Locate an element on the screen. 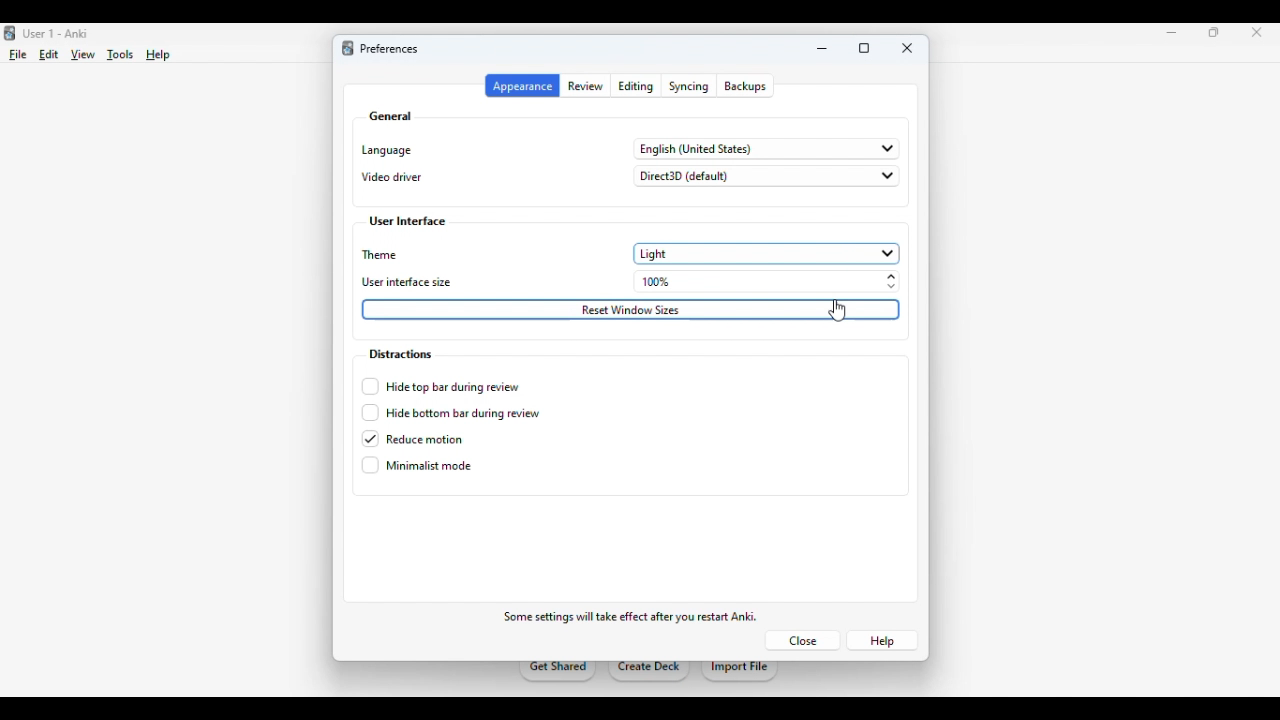 Image resolution: width=1280 pixels, height=720 pixels. Use 1 - Anki is located at coordinates (55, 34).